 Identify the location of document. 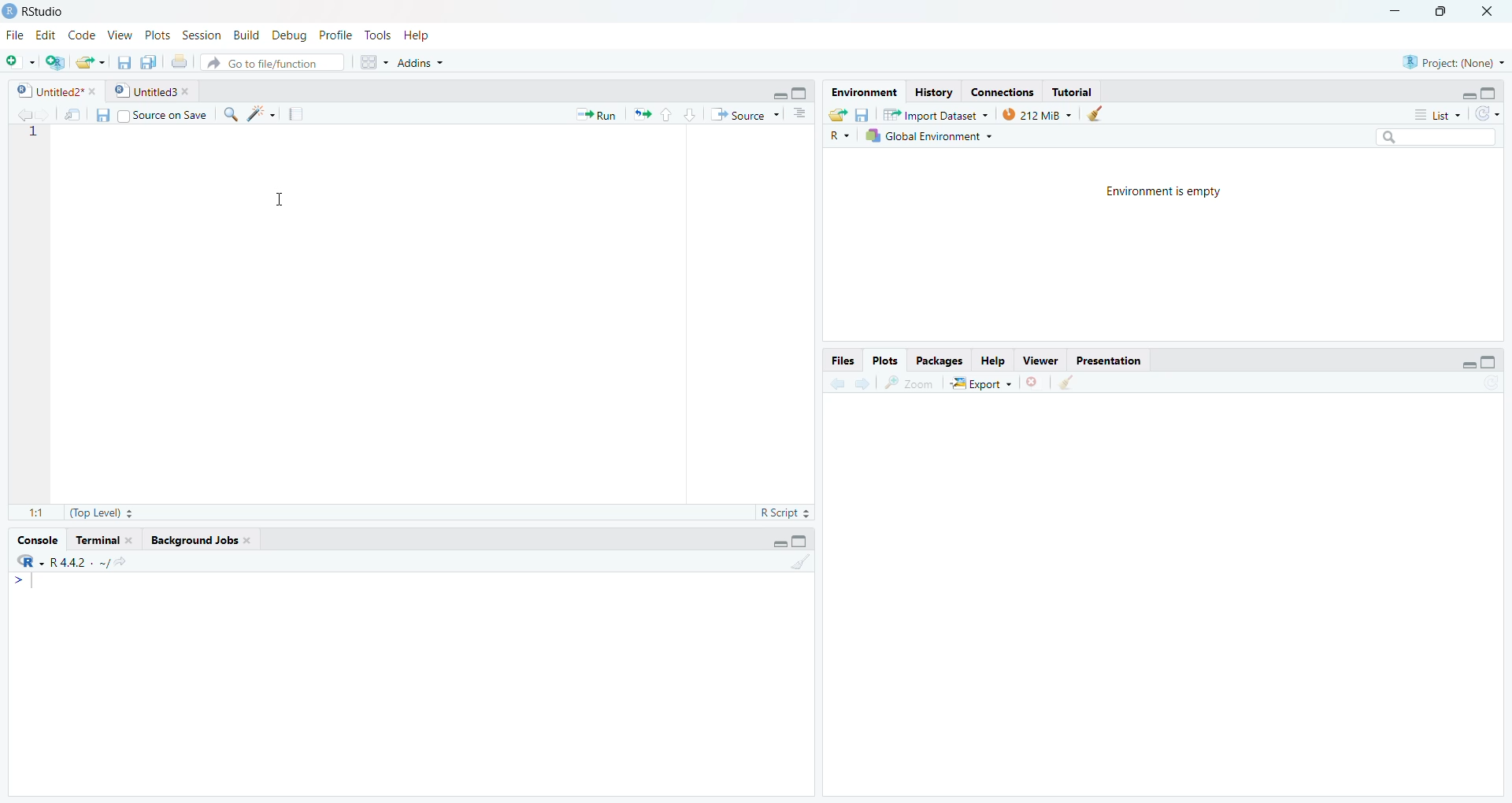
(298, 114).